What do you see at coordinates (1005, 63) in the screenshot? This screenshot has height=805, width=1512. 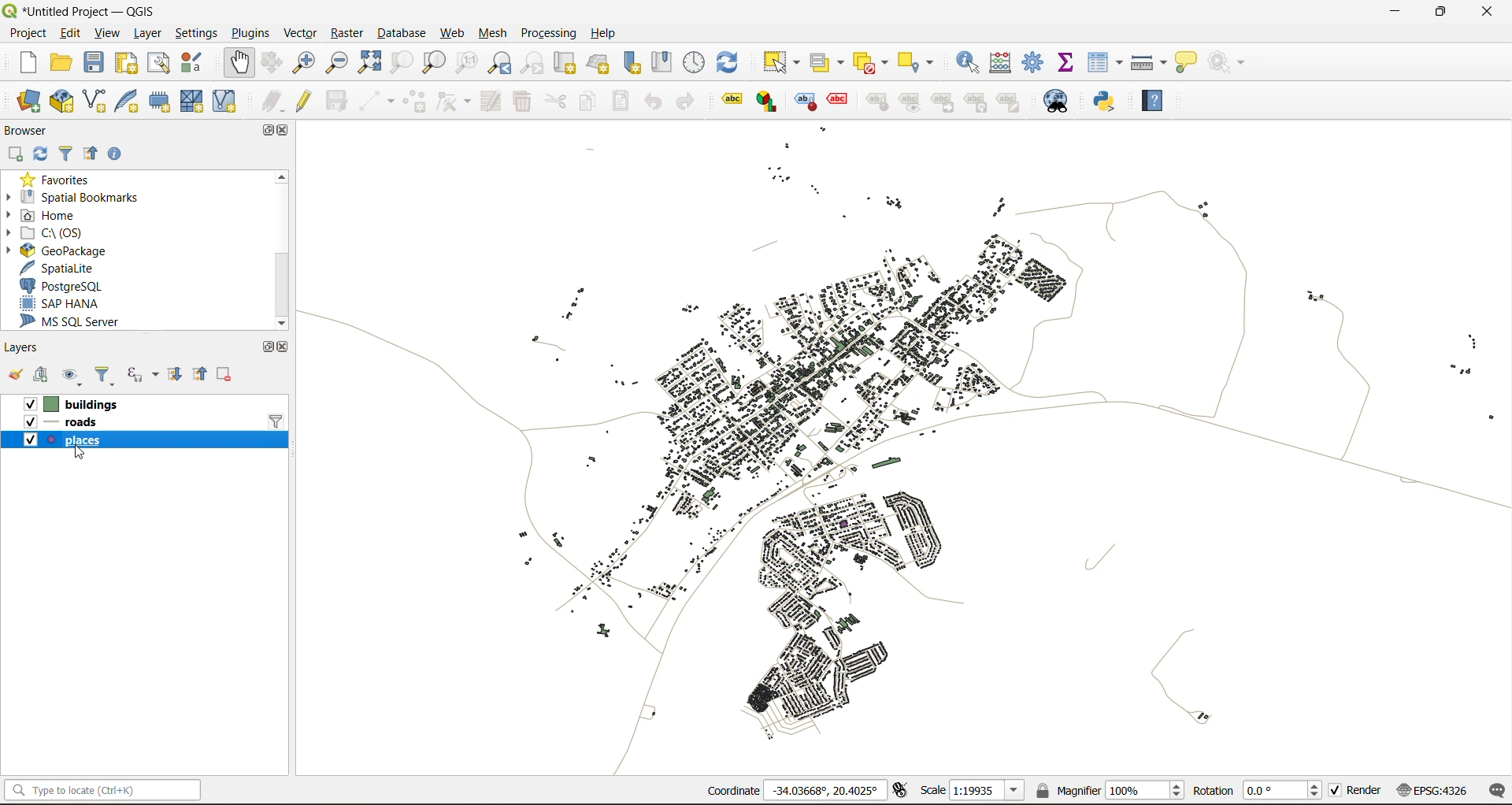 I see `calculator` at bounding box center [1005, 63].